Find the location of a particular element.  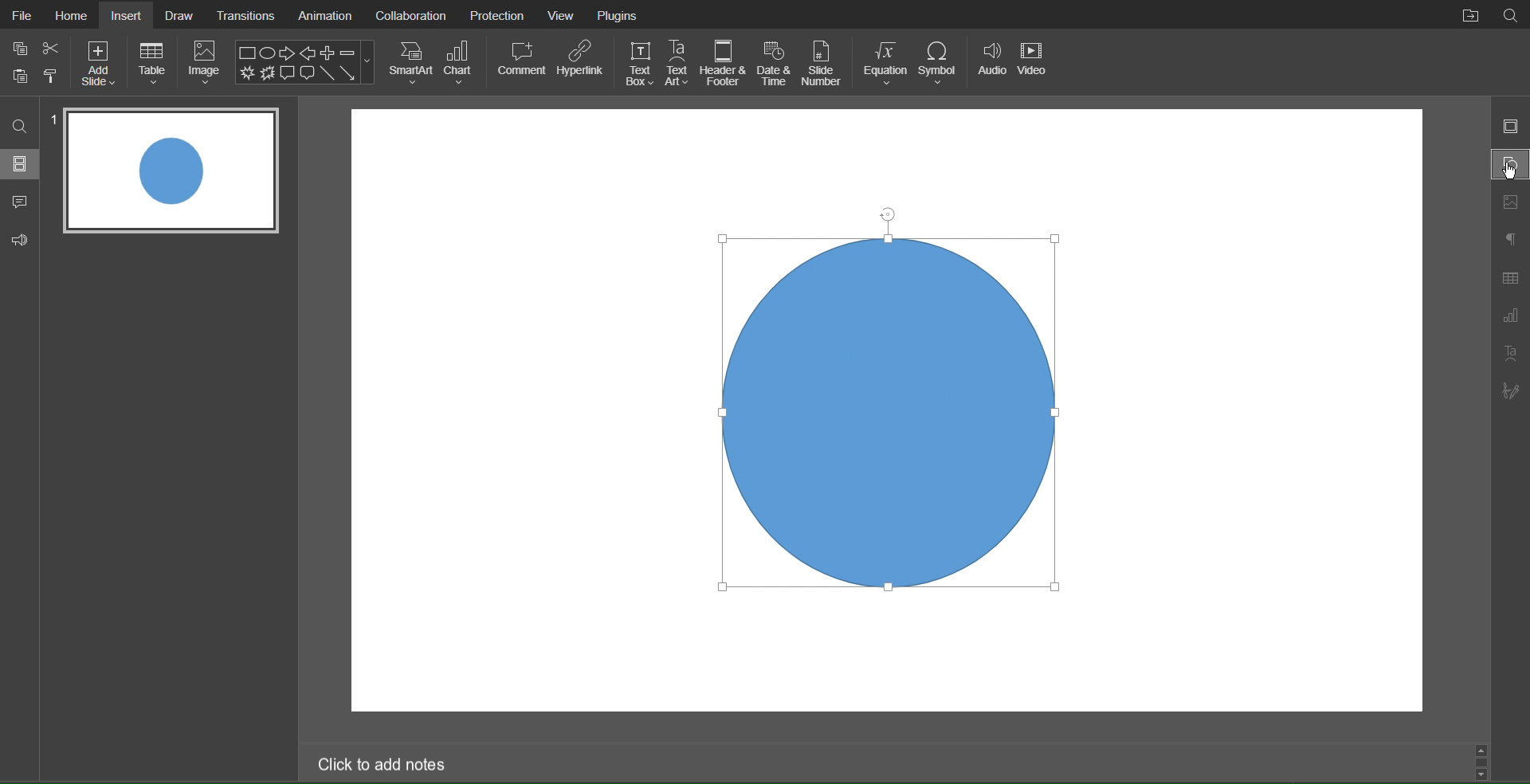

Header & Footer is located at coordinates (725, 61).